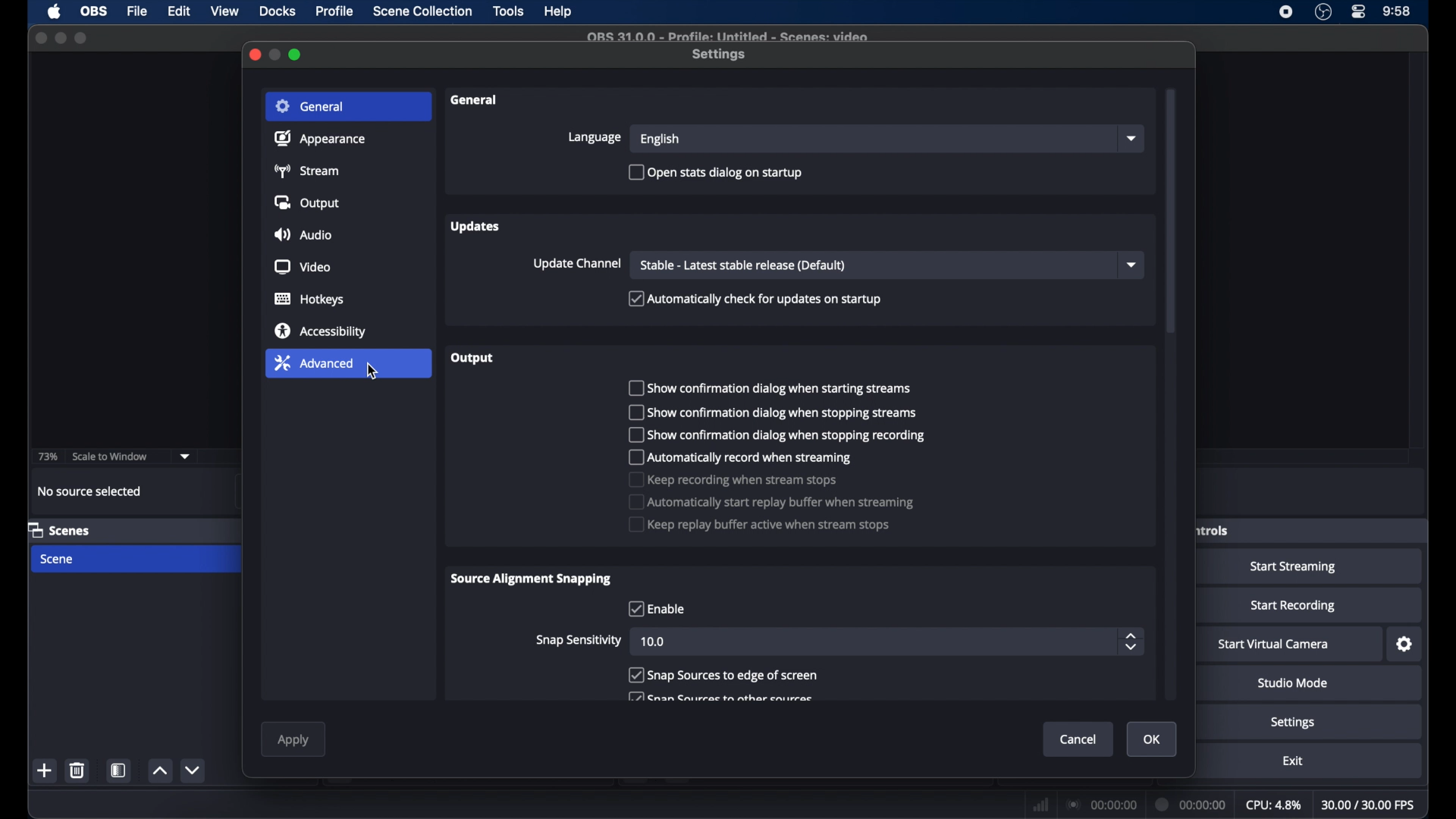 This screenshot has width=1456, height=819. What do you see at coordinates (770, 388) in the screenshot?
I see `checkbox` at bounding box center [770, 388].